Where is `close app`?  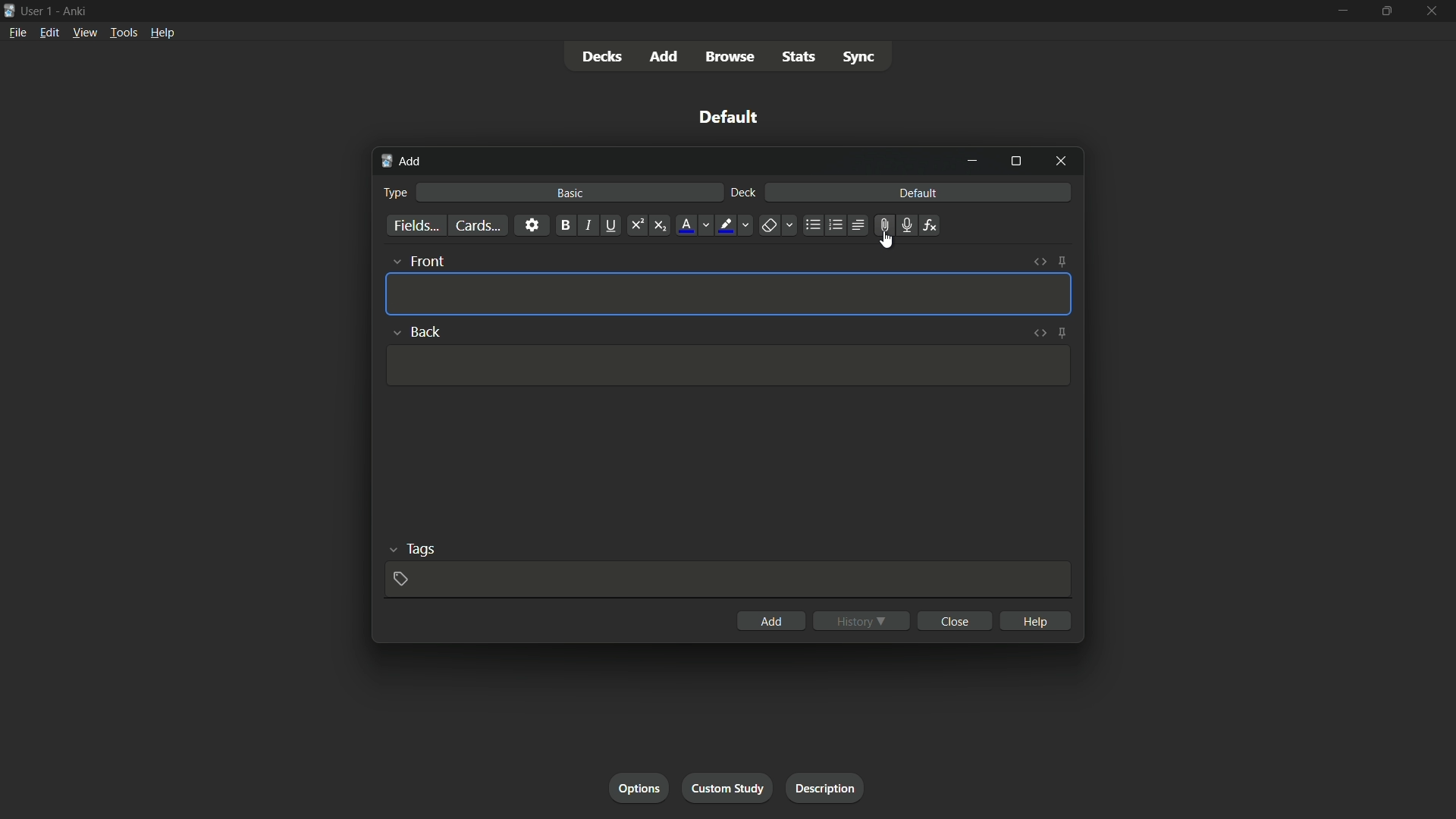
close app is located at coordinates (1434, 11).